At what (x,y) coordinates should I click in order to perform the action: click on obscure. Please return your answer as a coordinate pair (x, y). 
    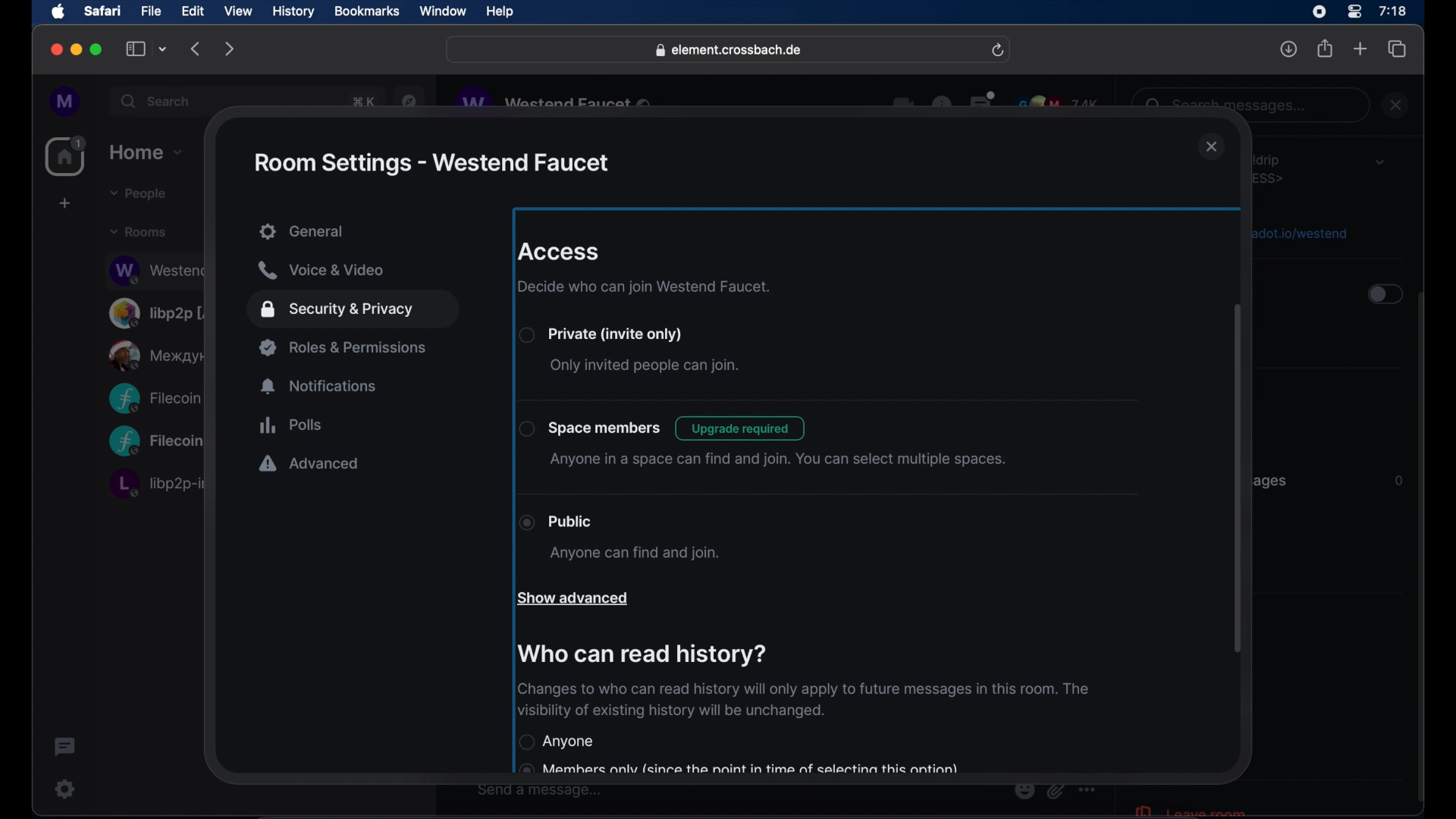
    Looking at the image, I should click on (1269, 481).